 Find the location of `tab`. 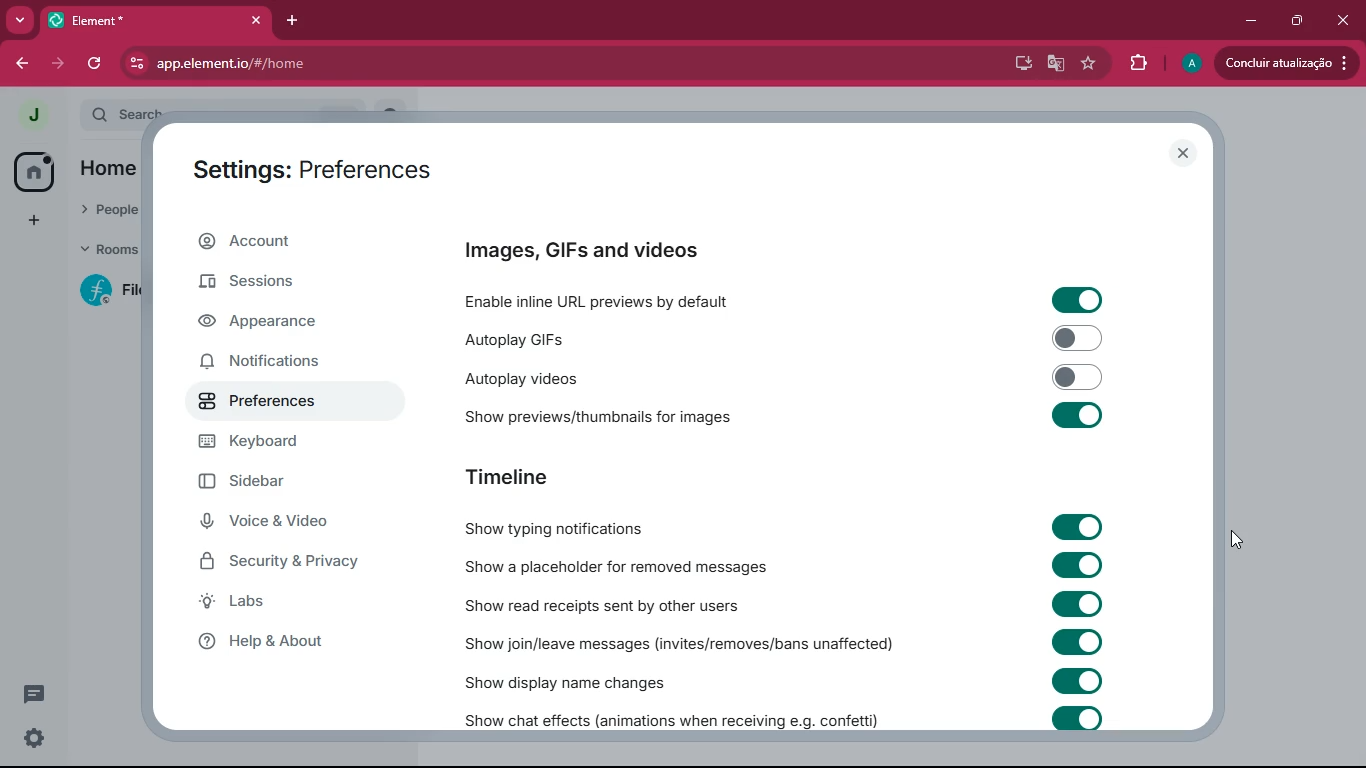

tab is located at coordinates (128, 21).